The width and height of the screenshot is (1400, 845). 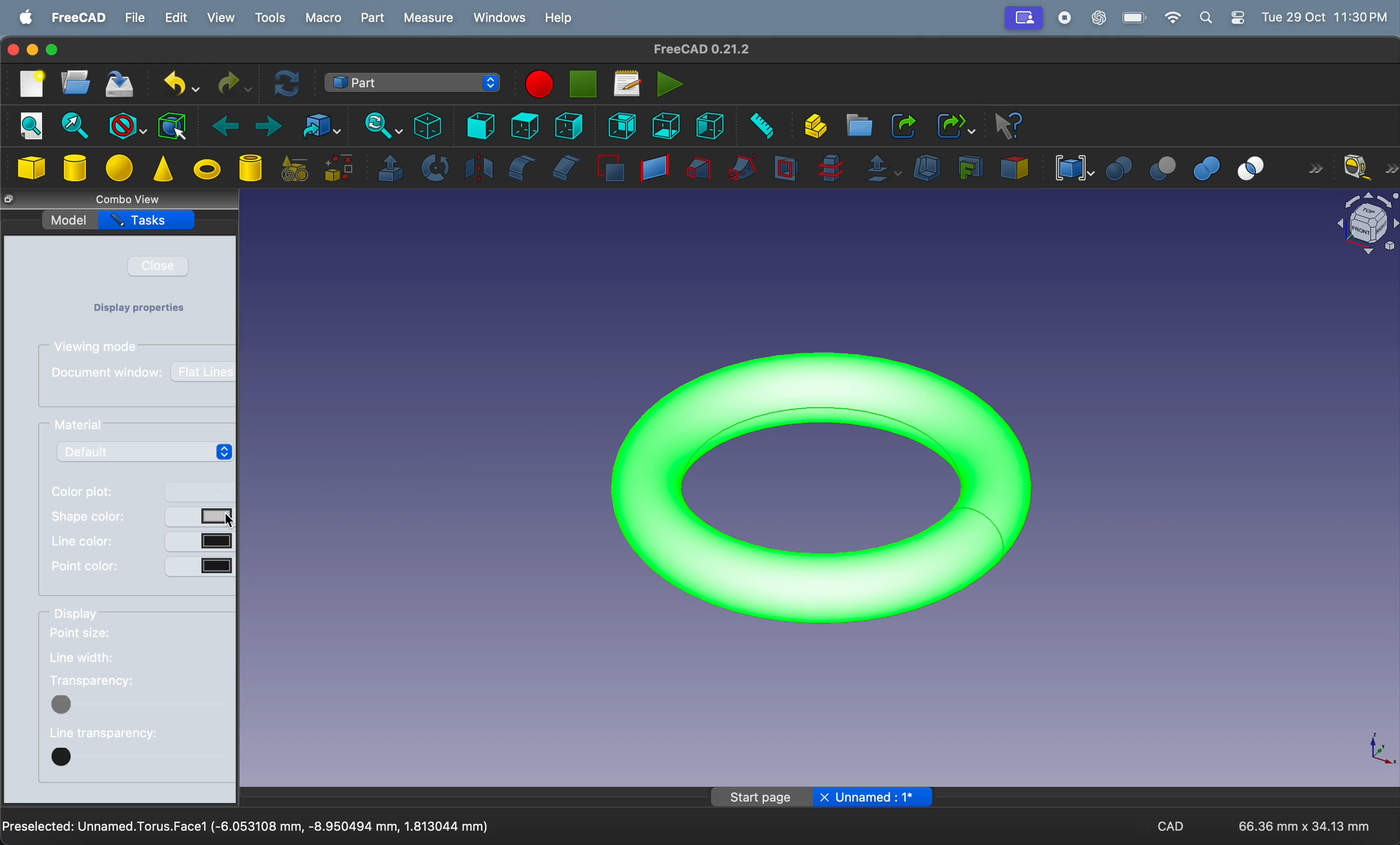 What do you see at coordinates (151, 309) in the screenshot?
I see `Display properties` at bounding box center [151, 309].